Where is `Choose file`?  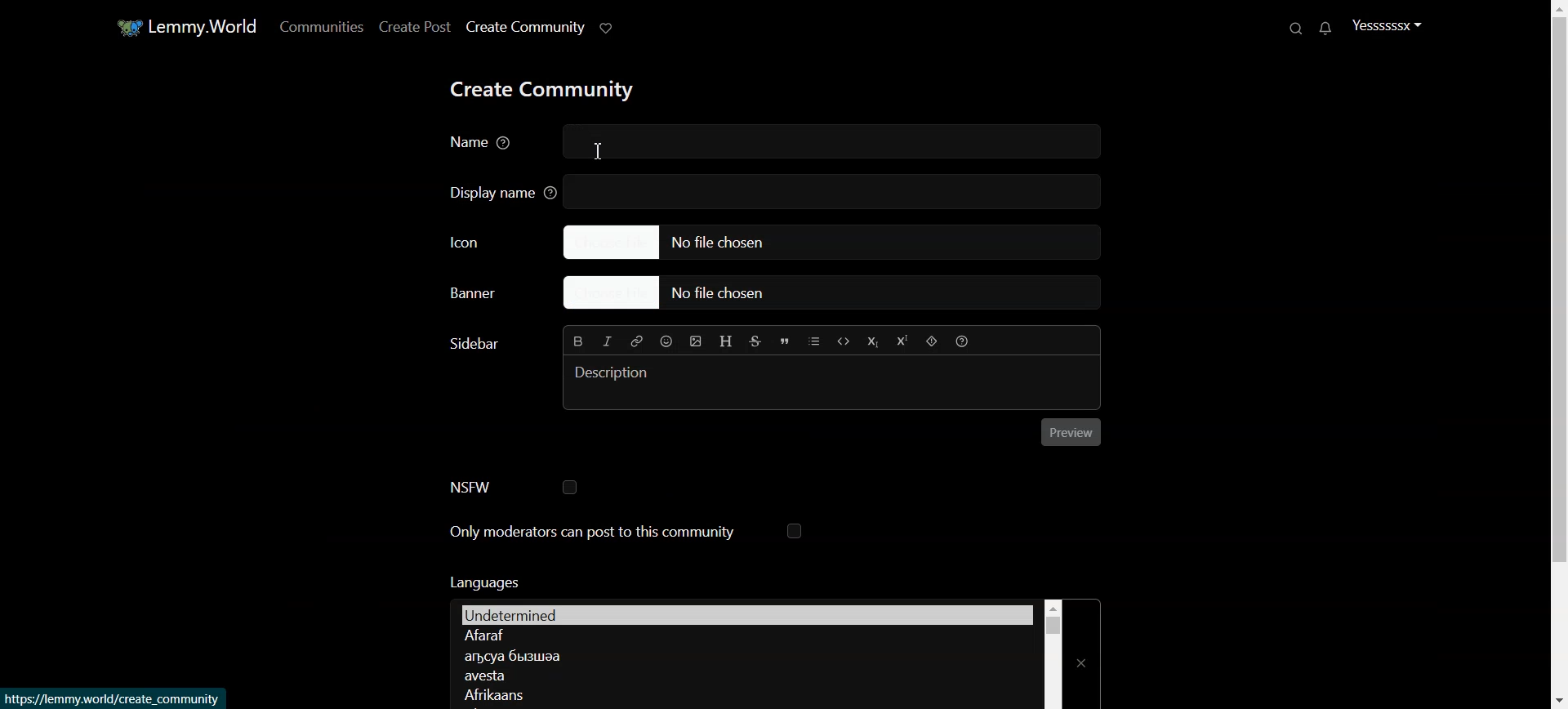 Choose file is located at coordinates (831, 241).